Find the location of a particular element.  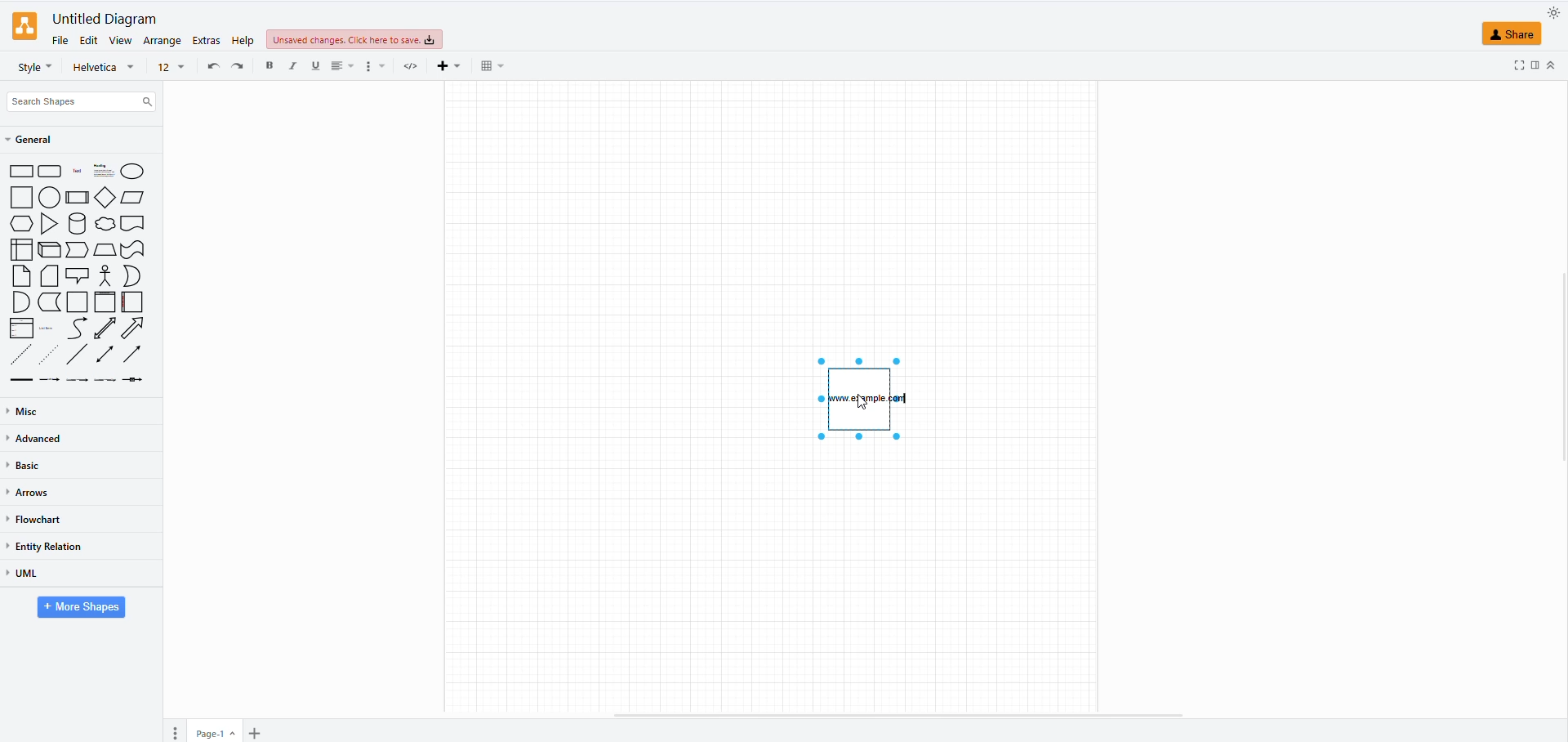

callout is located at coordinates (78, 275).